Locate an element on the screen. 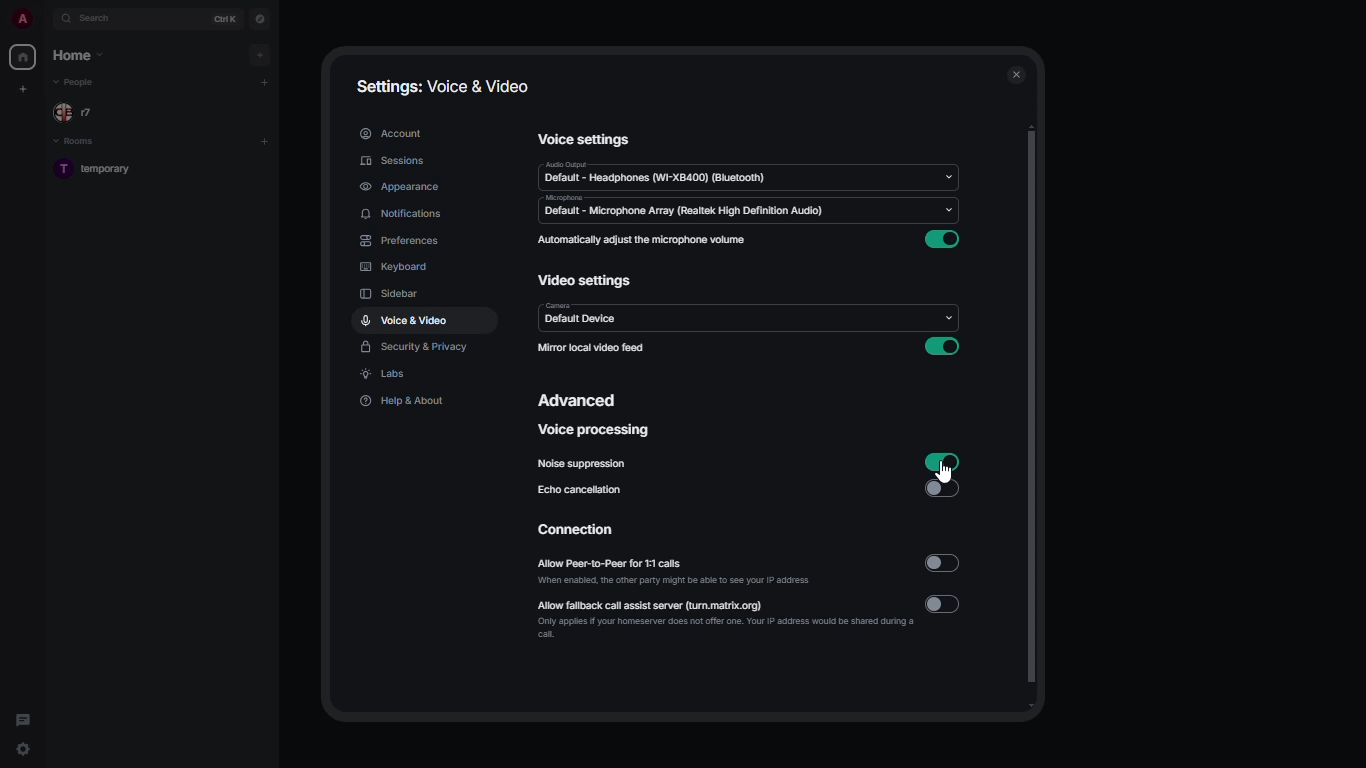  add is located at coordinates (266, 81).